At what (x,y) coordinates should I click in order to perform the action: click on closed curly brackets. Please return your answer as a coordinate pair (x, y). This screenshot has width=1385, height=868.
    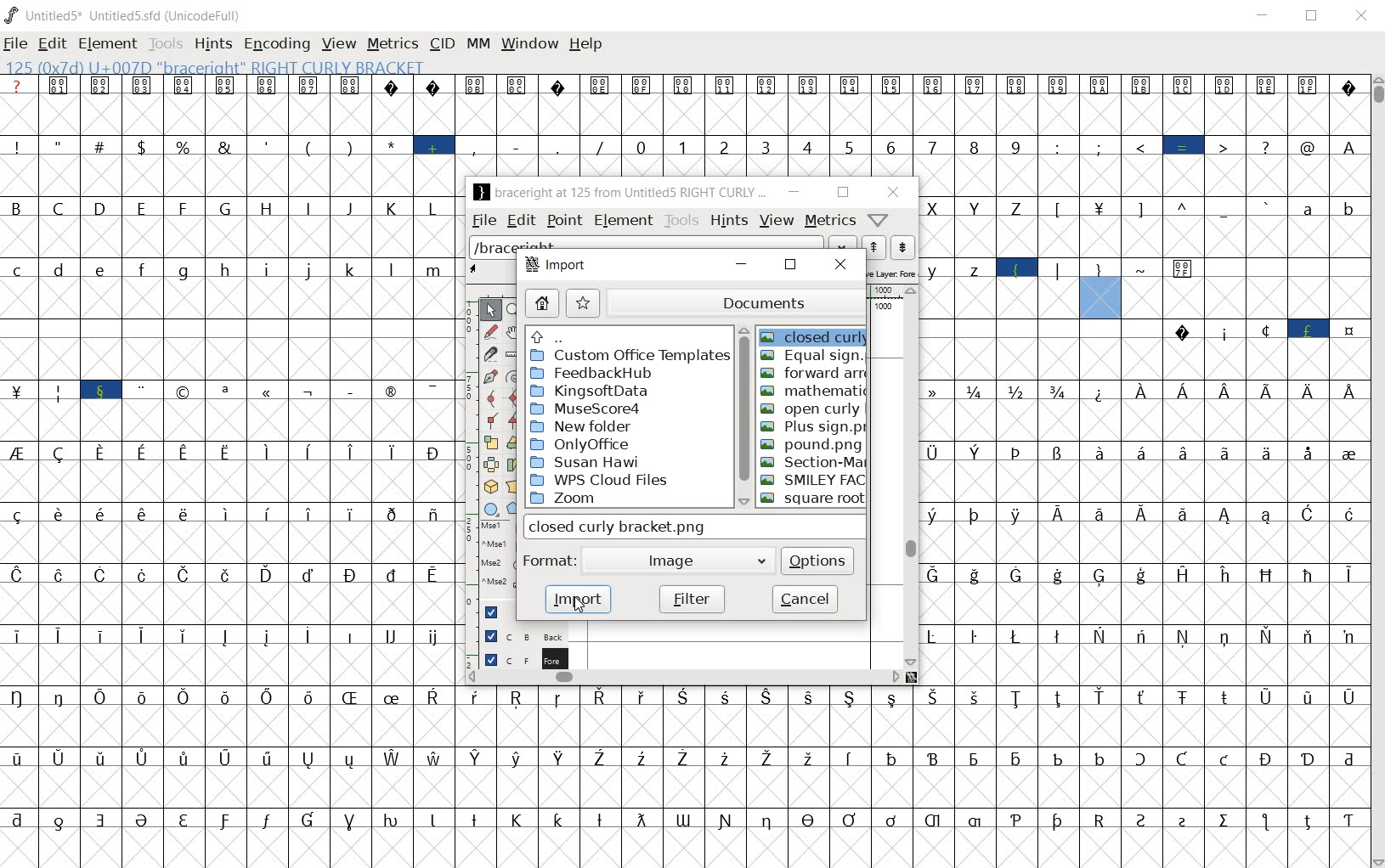
    Looking at the image, I should click on (696, 527).